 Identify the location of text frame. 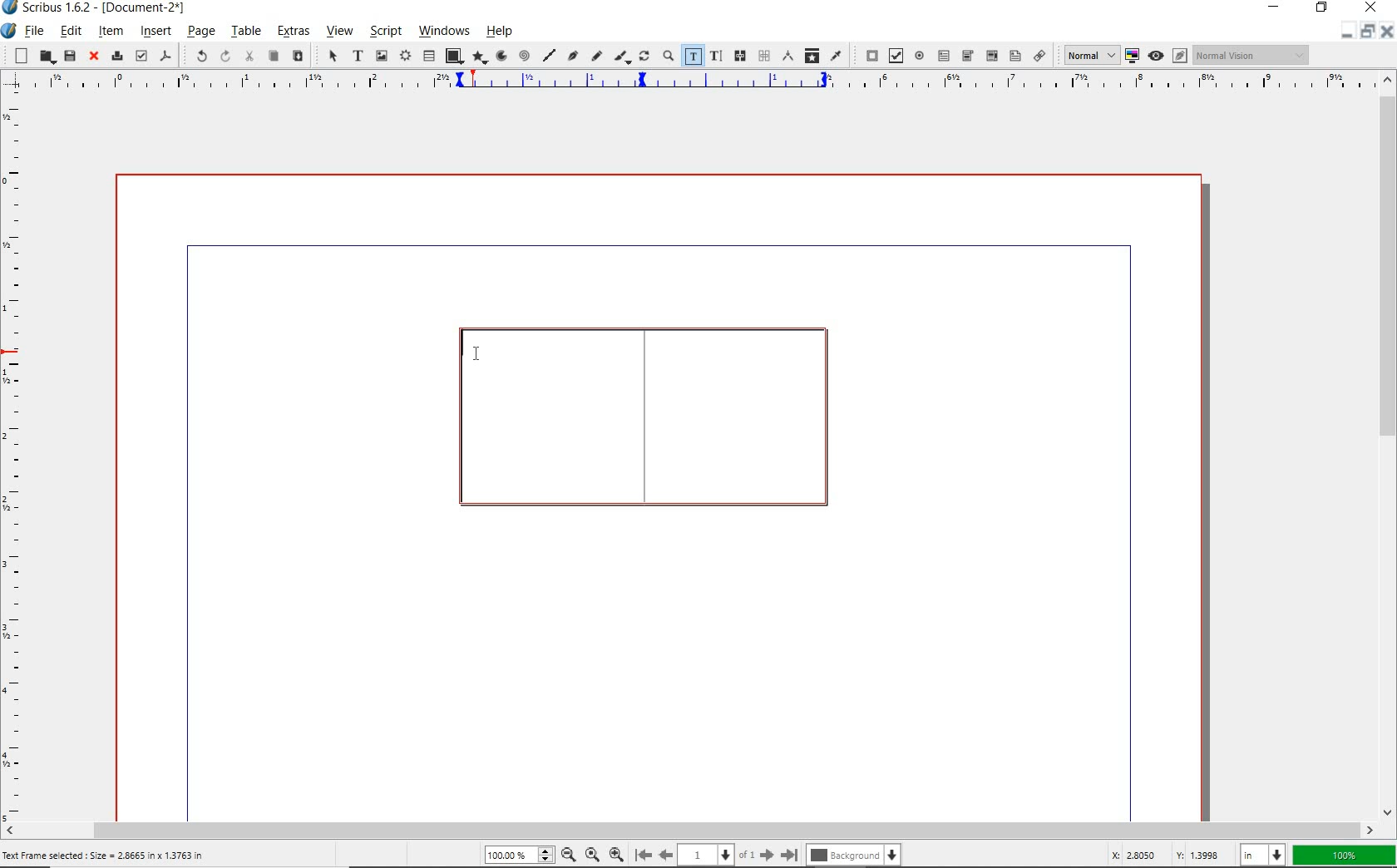
(642, 418).